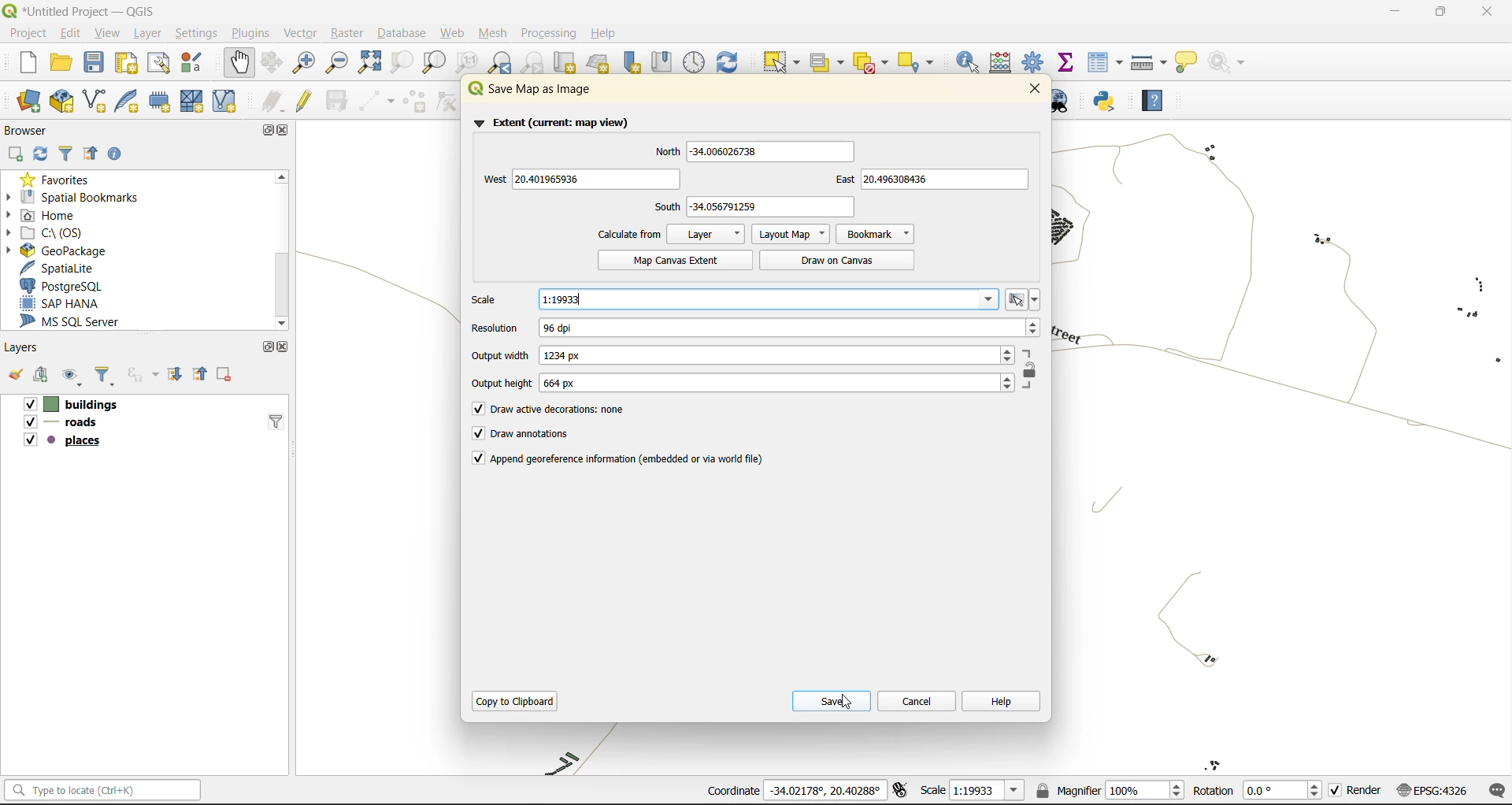 The height and width of the screenshot is (805, 1512). I want to click on new spatialite, so click(127, 102).